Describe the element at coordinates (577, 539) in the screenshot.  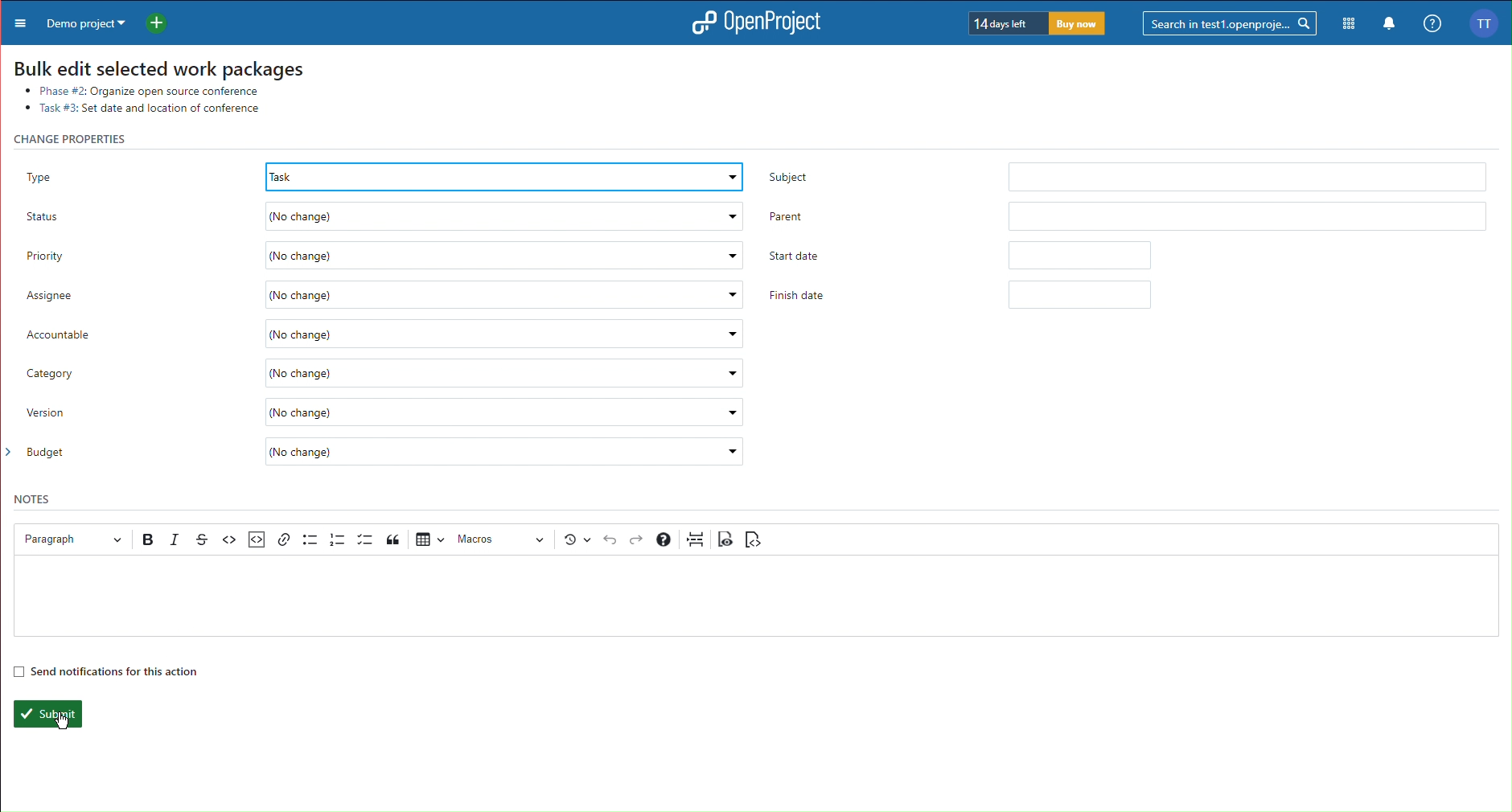
I see `Versions` at that location.